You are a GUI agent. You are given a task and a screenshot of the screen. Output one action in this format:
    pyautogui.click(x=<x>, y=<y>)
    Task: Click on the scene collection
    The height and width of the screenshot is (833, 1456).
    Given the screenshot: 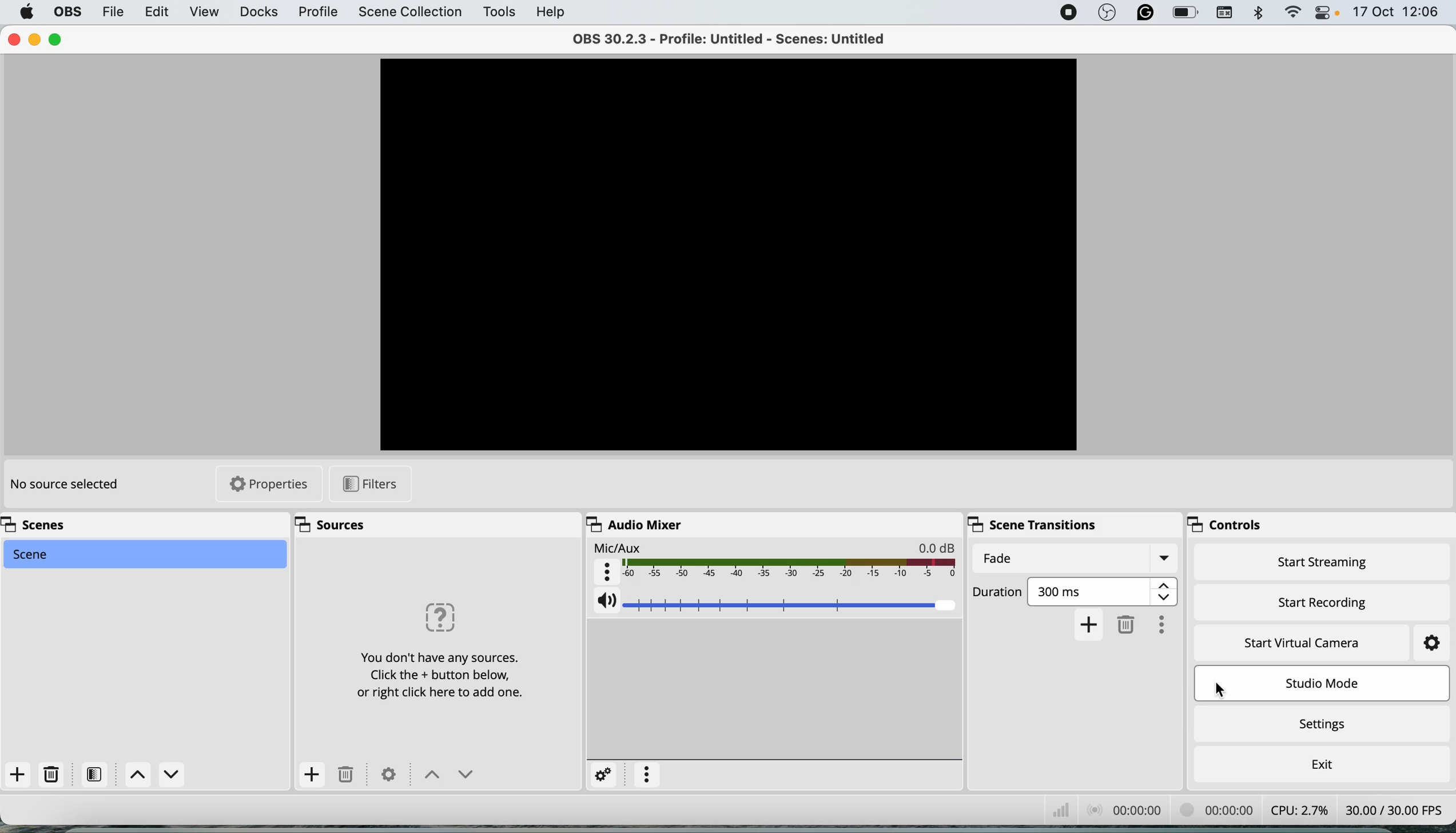 What is the action you would take?
    pyautogui.click(x=410, y=14)
    